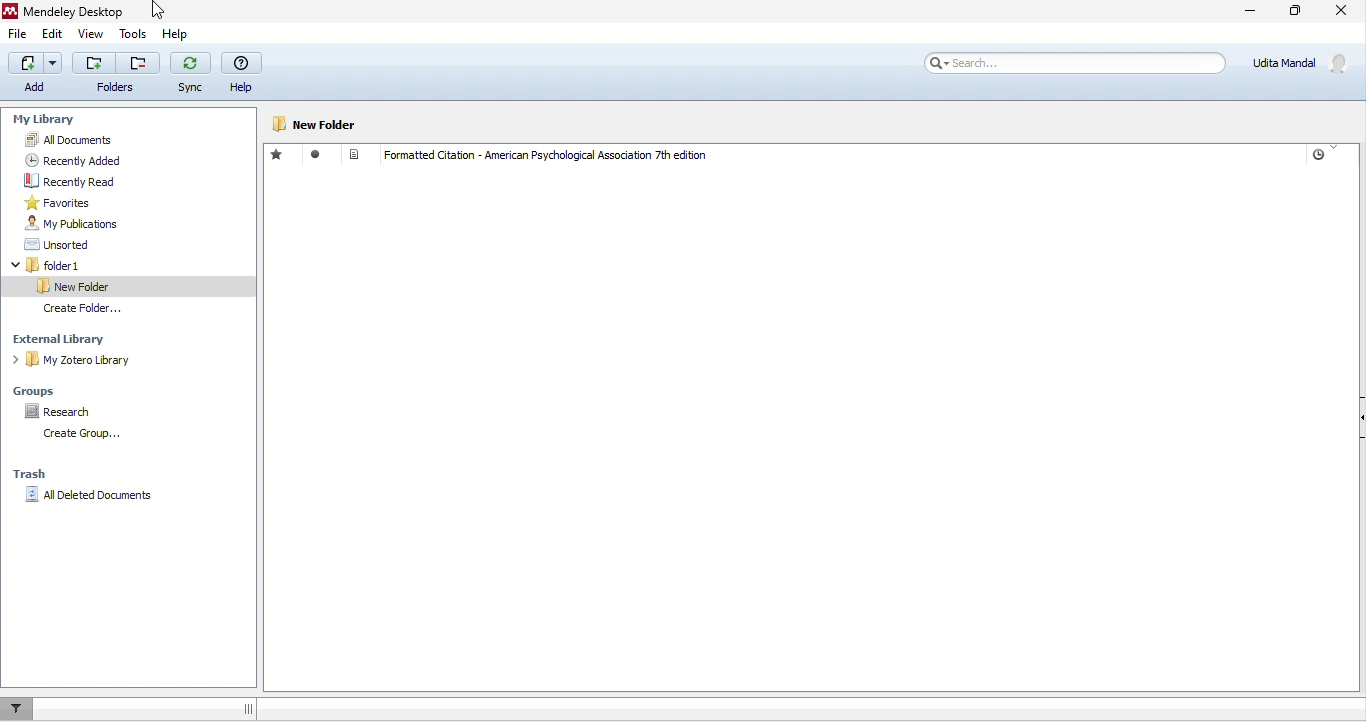 The image size is (1366, 722). What do you see at coordinates (65, 203) in the screenshot?
I see `favorites` at bounding box center [65, 203].